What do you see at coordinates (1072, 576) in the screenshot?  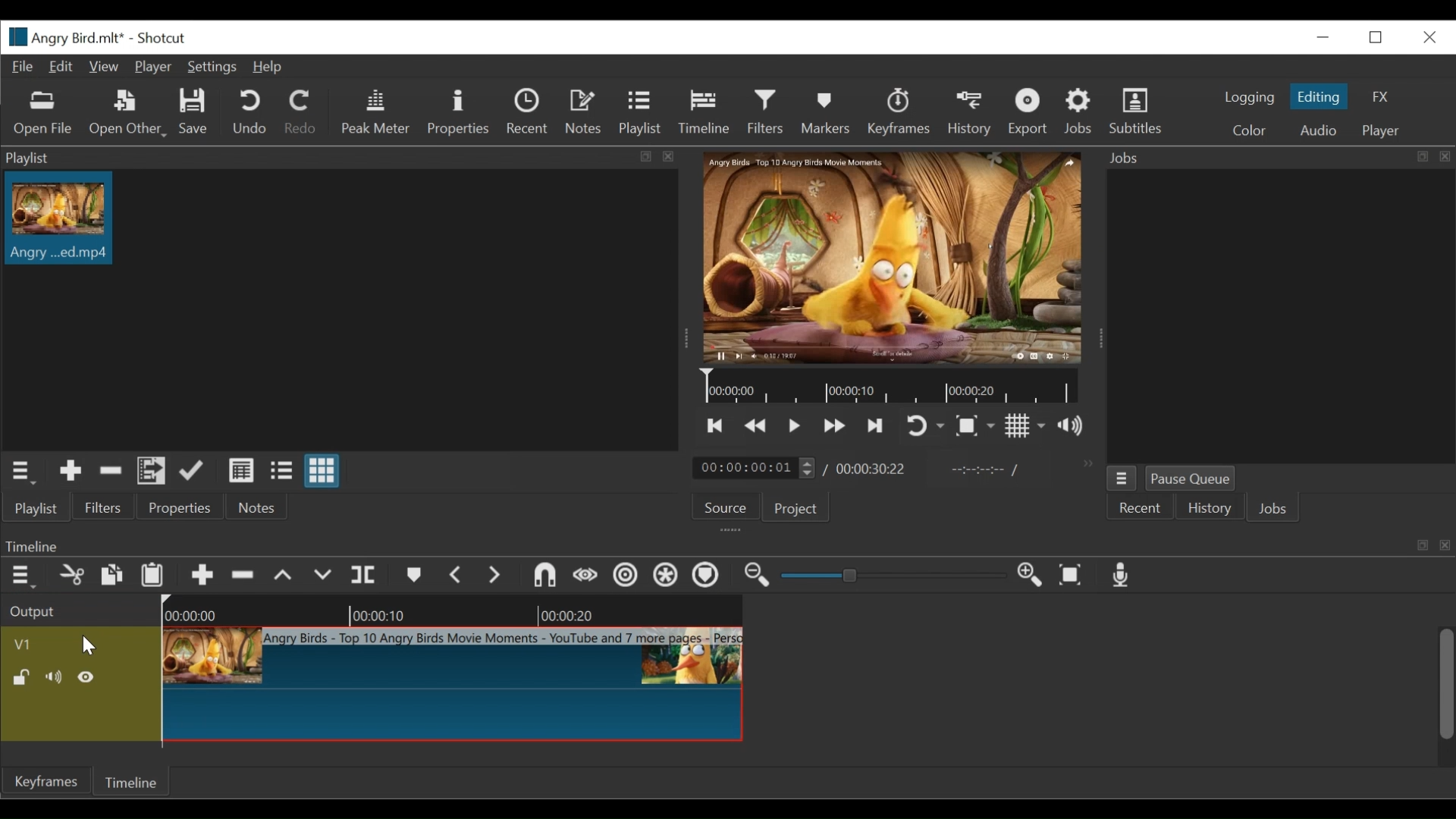 I see `Zoom timeline to fit` at bounding box center [1072, 576].